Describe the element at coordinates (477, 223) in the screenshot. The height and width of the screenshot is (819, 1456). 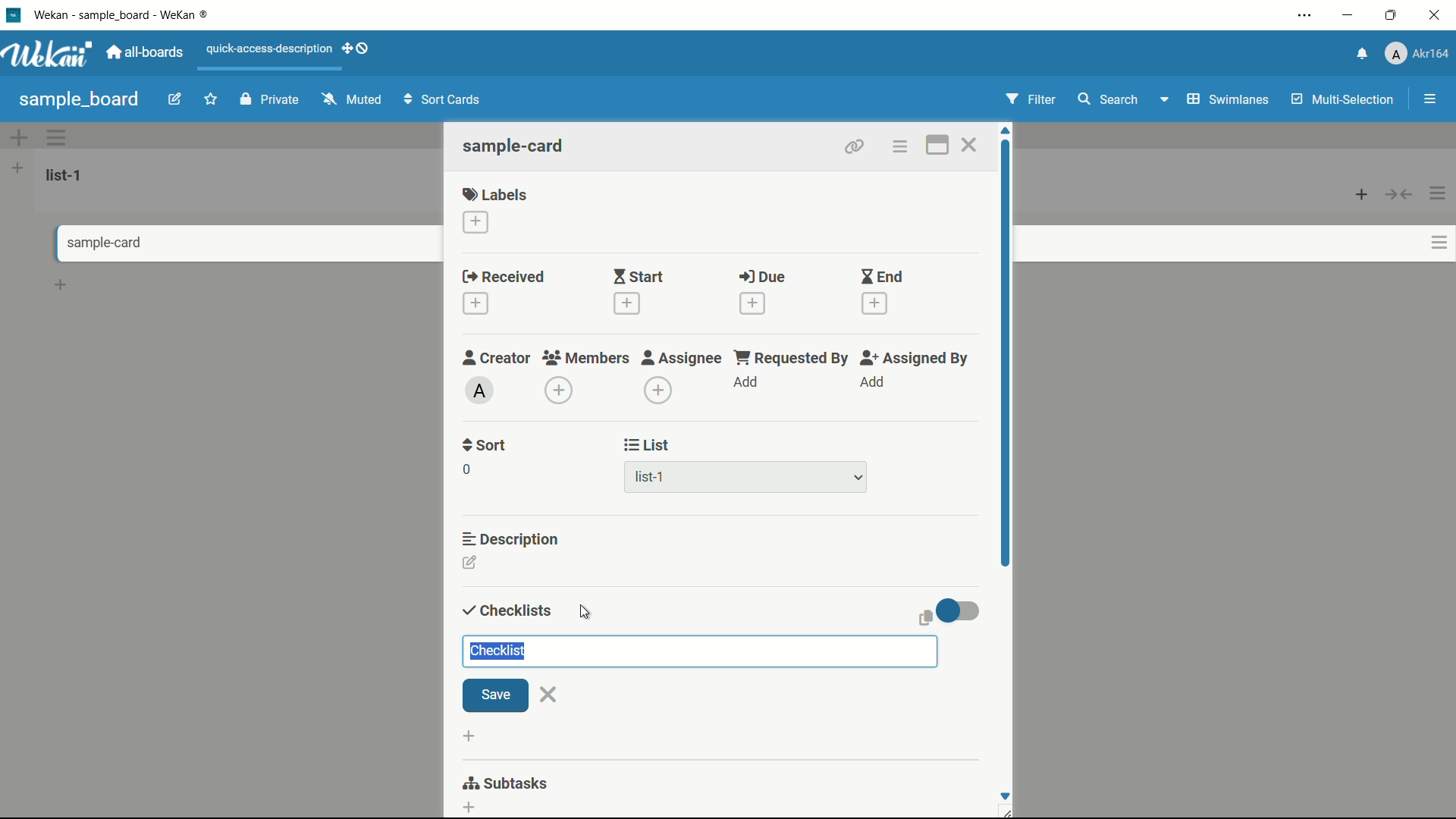
I see `add label` at that location.